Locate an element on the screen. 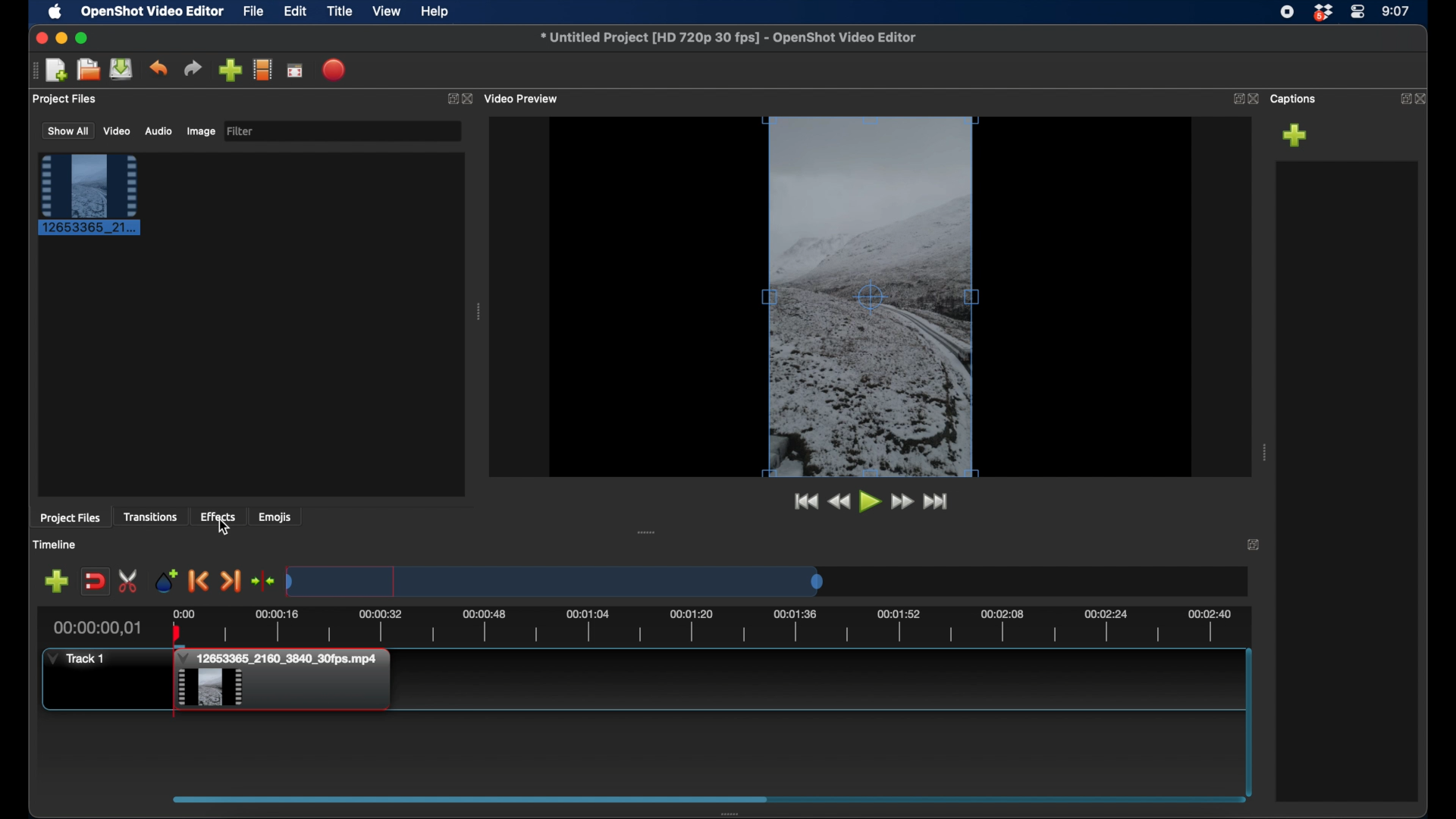  full screen is located at coordinates (295, 71).